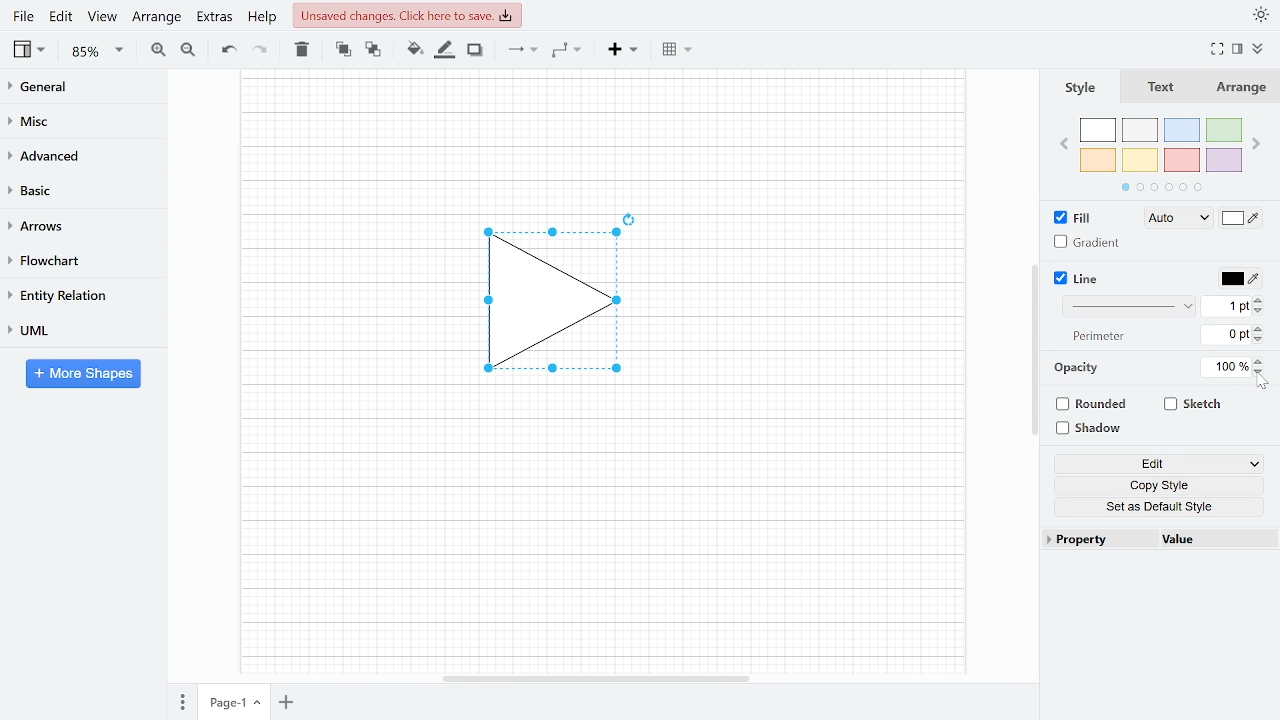 Image resolution: width=1280 pixels, height=720 pixels. Describe the element at coordinates (414, 49) in the screenshot. I see `Fill color` at that location.